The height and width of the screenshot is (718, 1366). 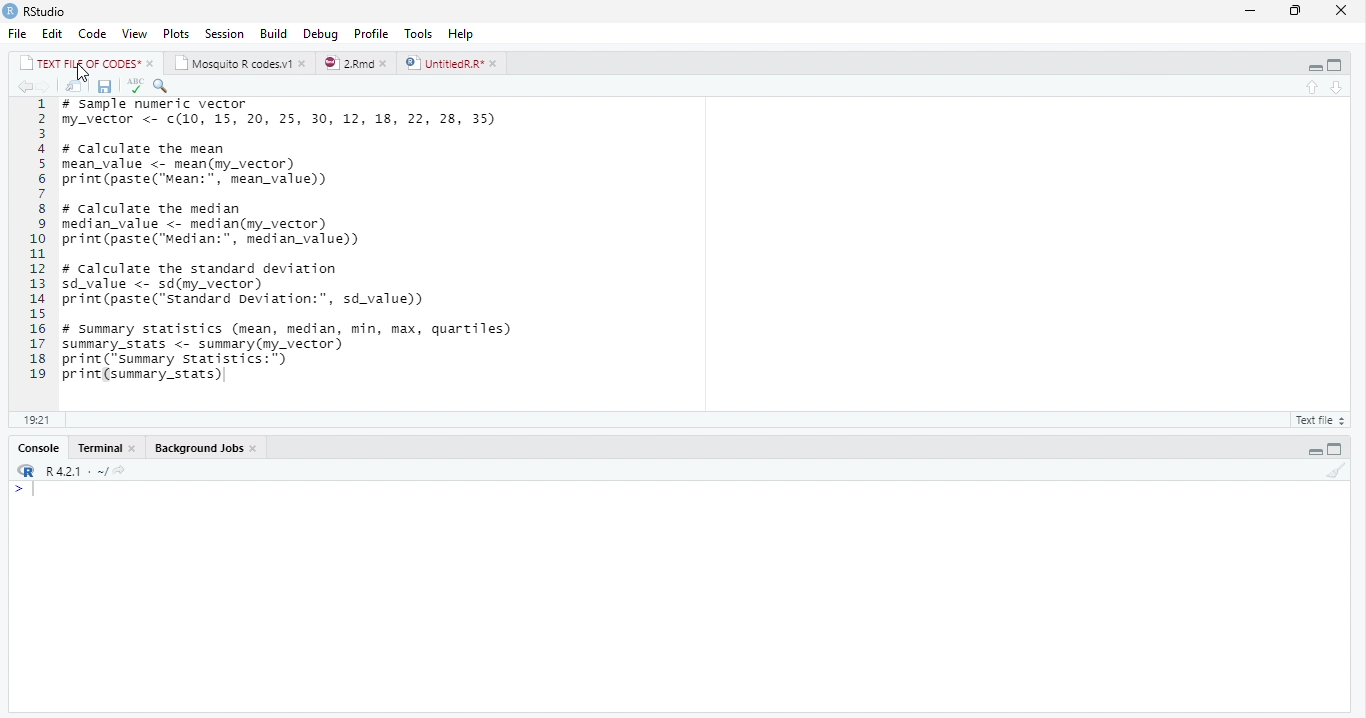 I want to click on previous section, so click(x=1314, y=88).